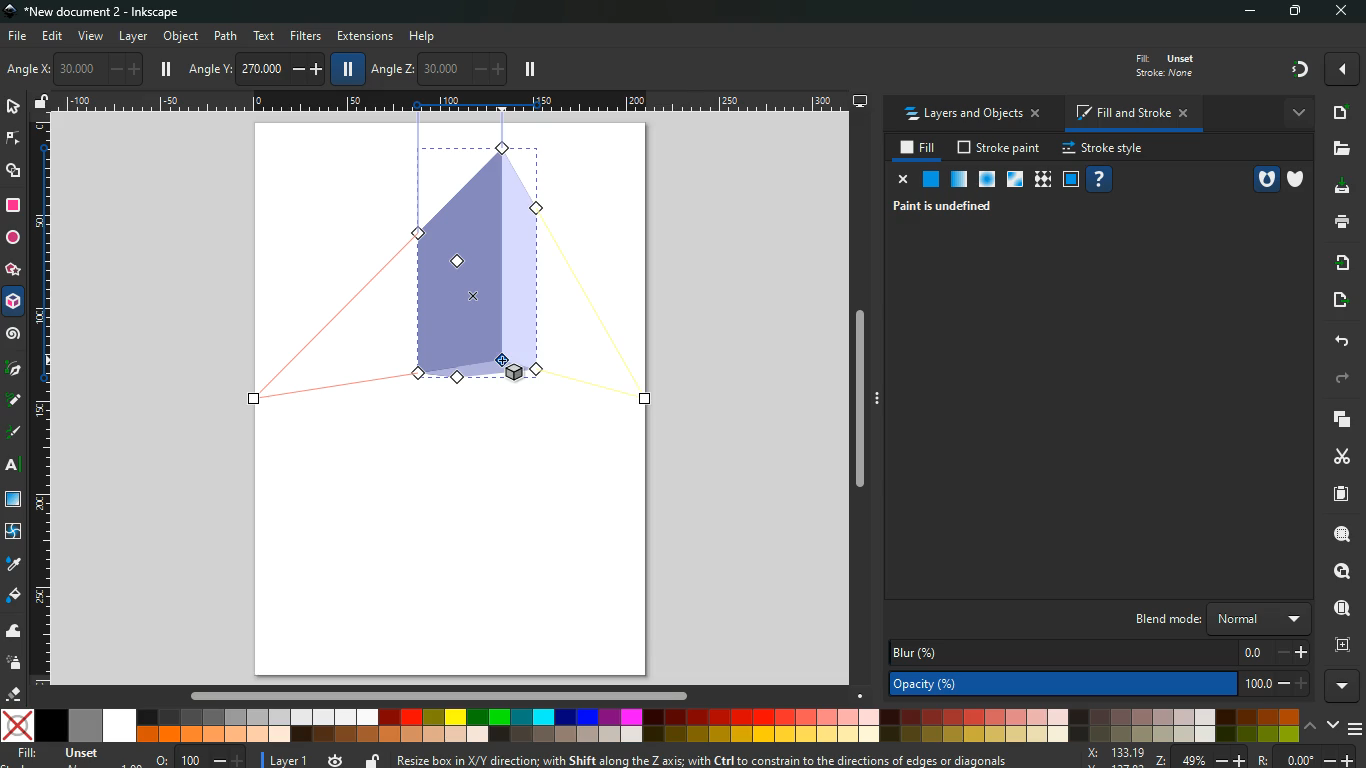 Image resolution: width=1366 pixels, height=768 pixels. Describe the element at coordinates (12, 272) in the screenshot. I see `star` at that location.